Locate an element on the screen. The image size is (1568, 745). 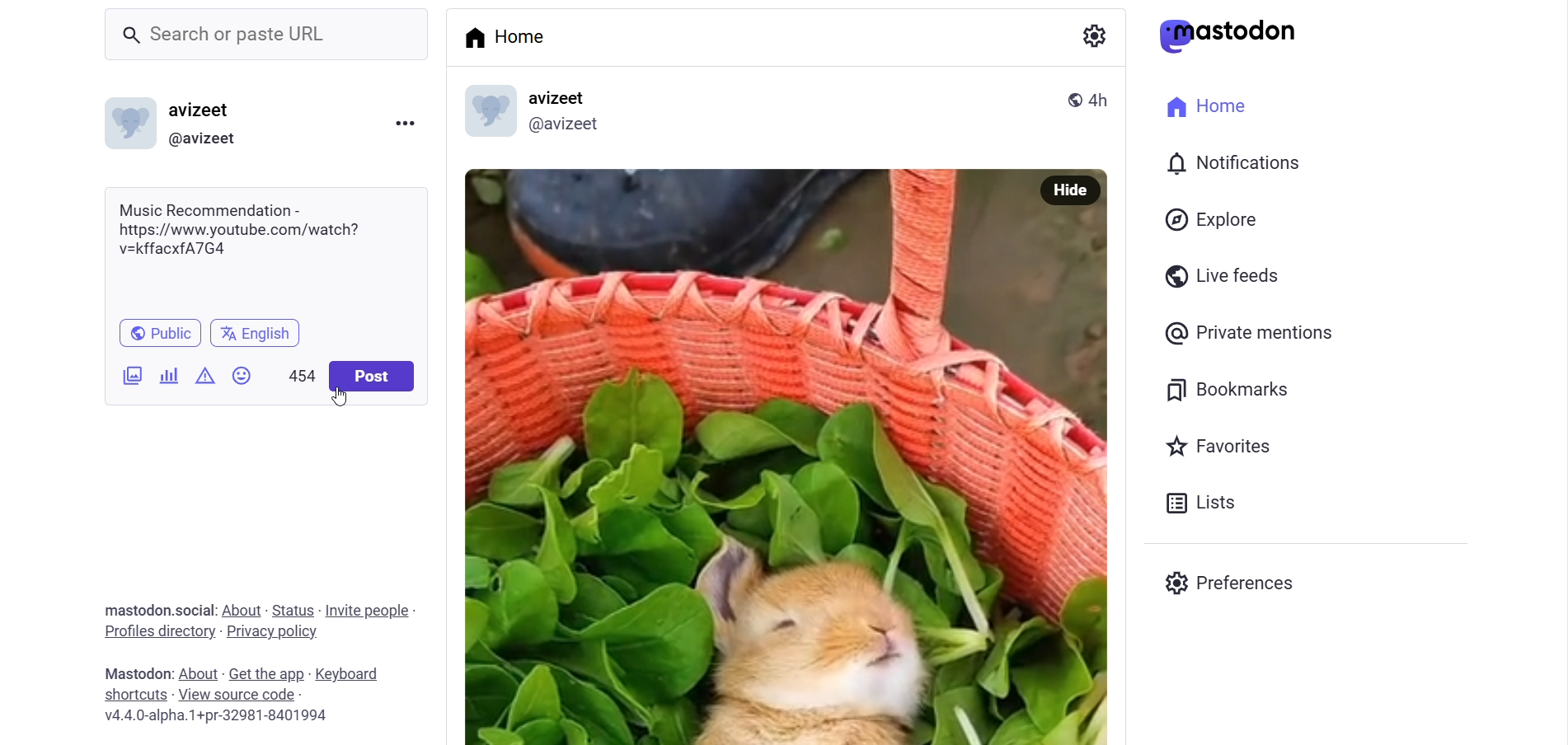
Add Poll is located at coordinates (168, 374).